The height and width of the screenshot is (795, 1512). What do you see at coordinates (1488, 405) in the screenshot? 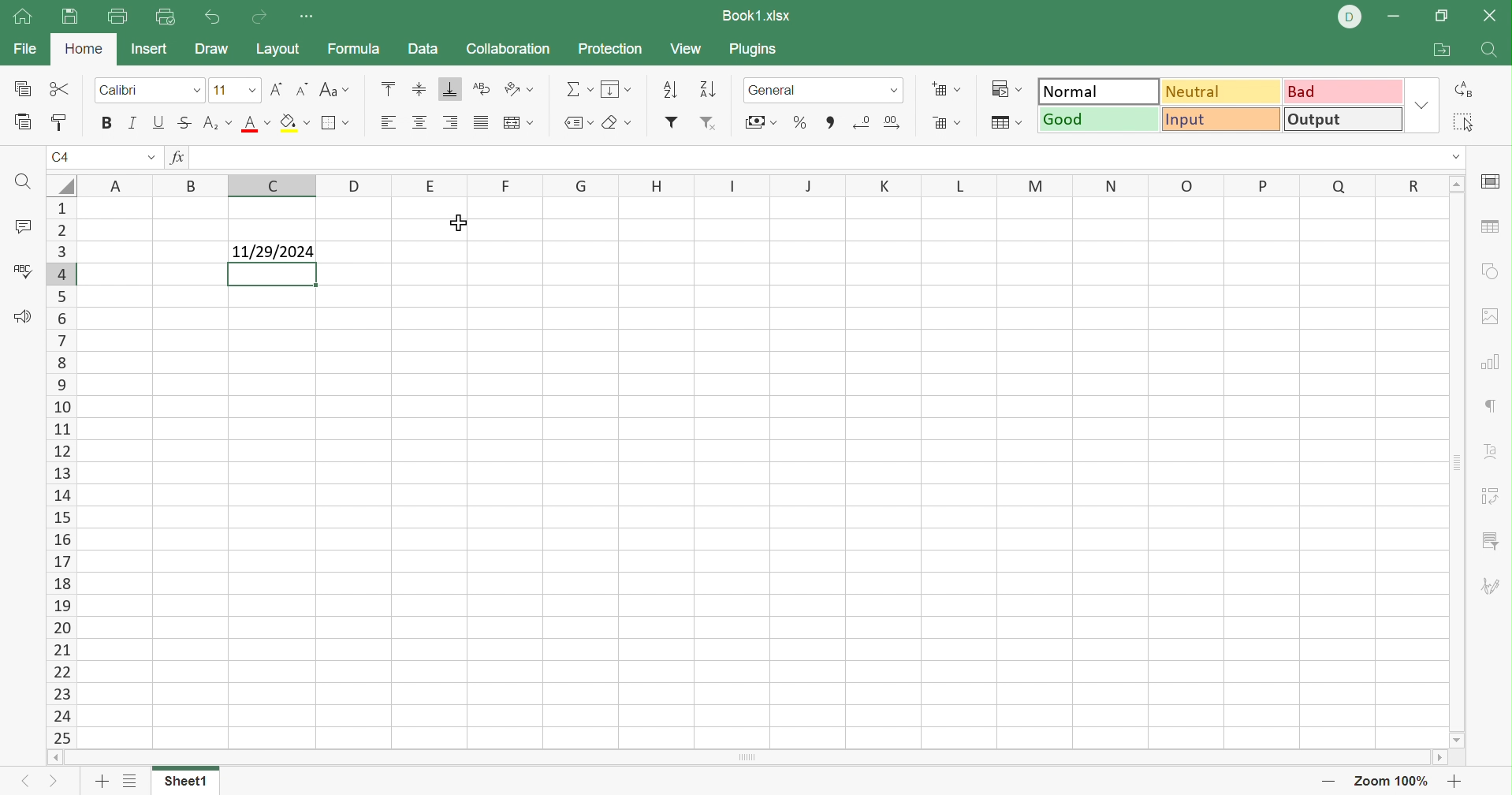
I see `Paragraph settings` at bounding box center [1488, 405].